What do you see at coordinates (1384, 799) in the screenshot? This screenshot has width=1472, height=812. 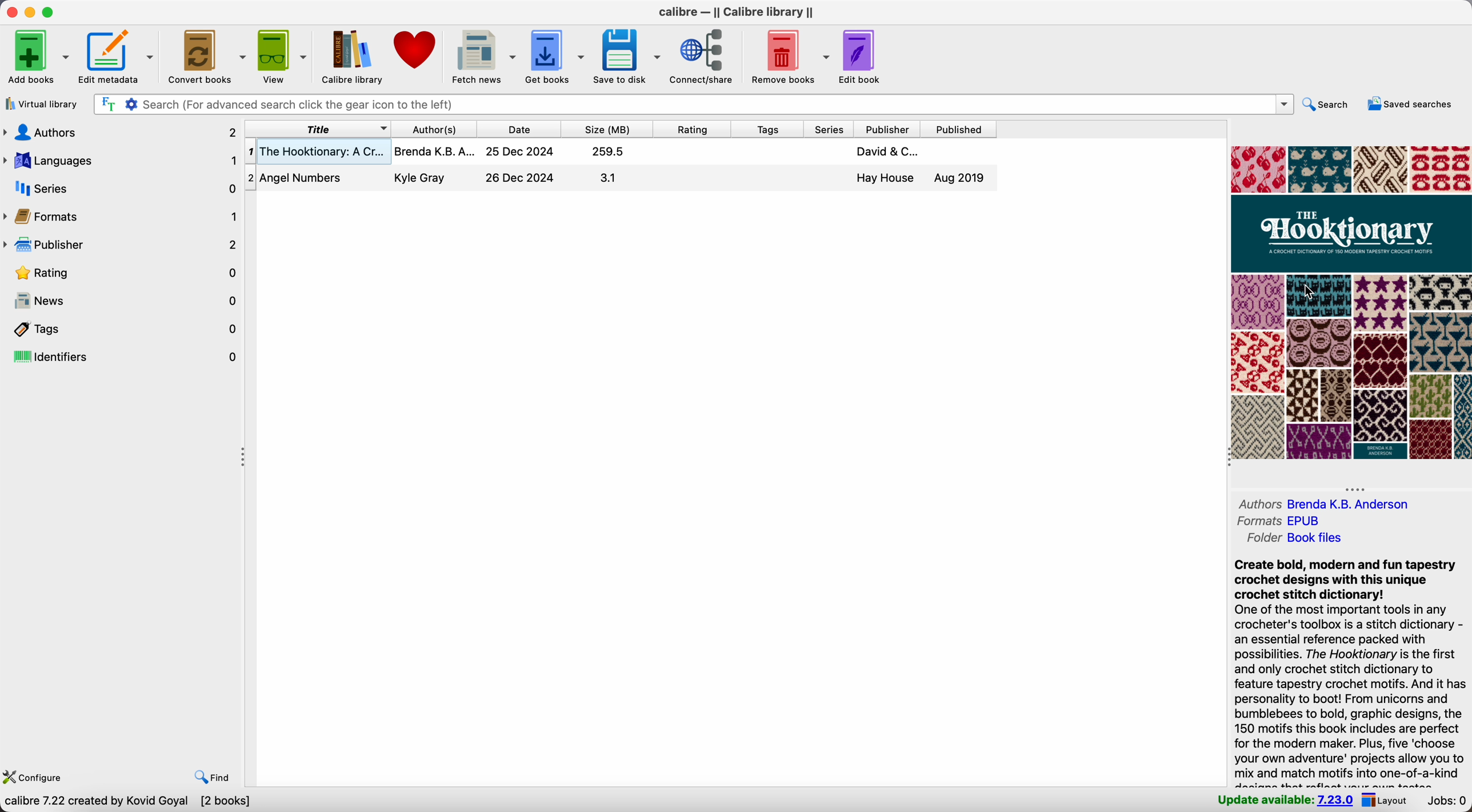 I see `layout` at bounding box center [1384, 799].